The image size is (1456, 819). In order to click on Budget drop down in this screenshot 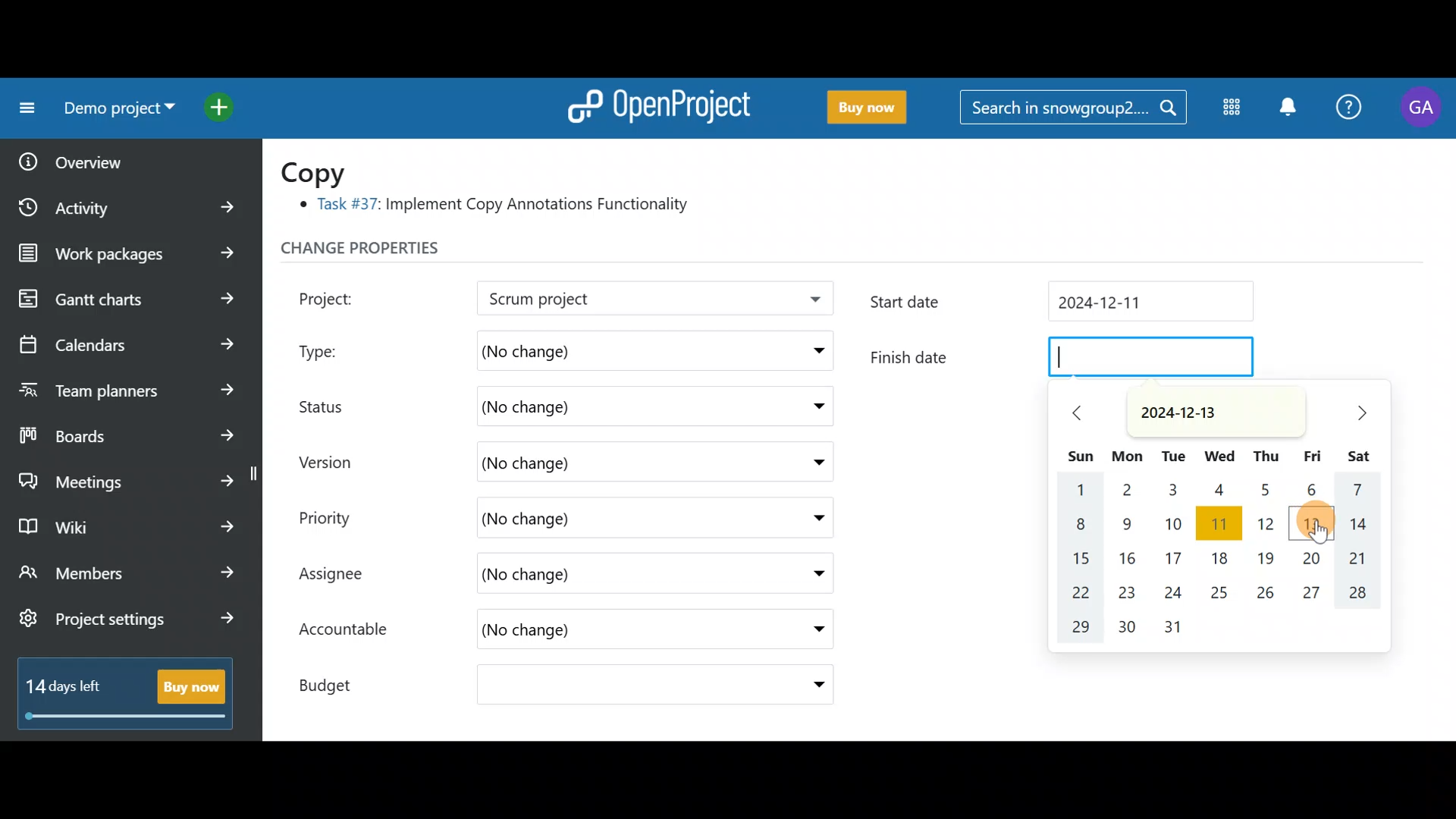, I will do `click(809, 685)`.